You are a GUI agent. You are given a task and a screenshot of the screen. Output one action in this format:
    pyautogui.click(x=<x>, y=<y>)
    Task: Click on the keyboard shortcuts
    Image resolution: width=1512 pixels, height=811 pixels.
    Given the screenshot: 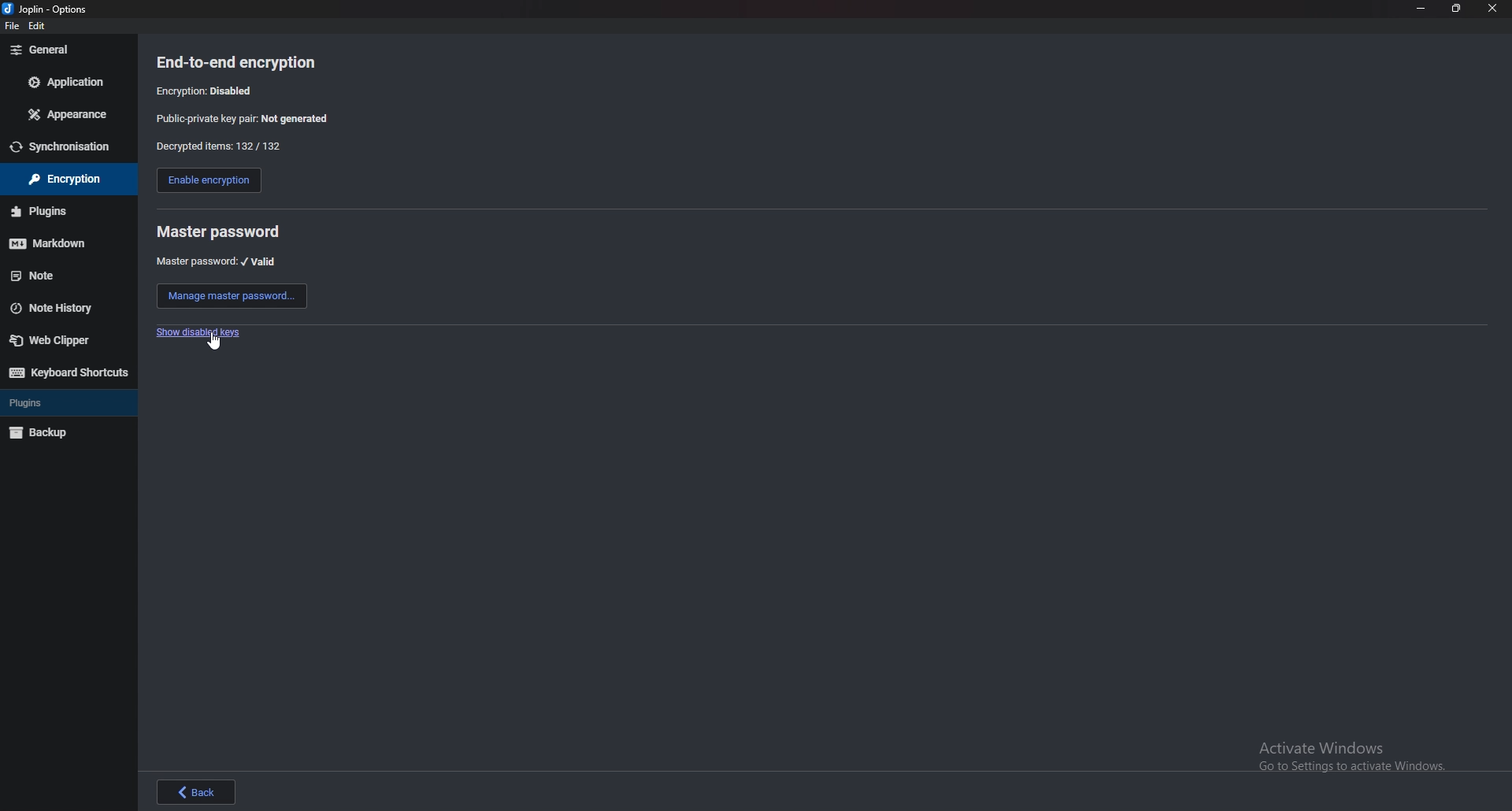 What is the action you would take?
    pyautogui.click(x=69, y=373)
    